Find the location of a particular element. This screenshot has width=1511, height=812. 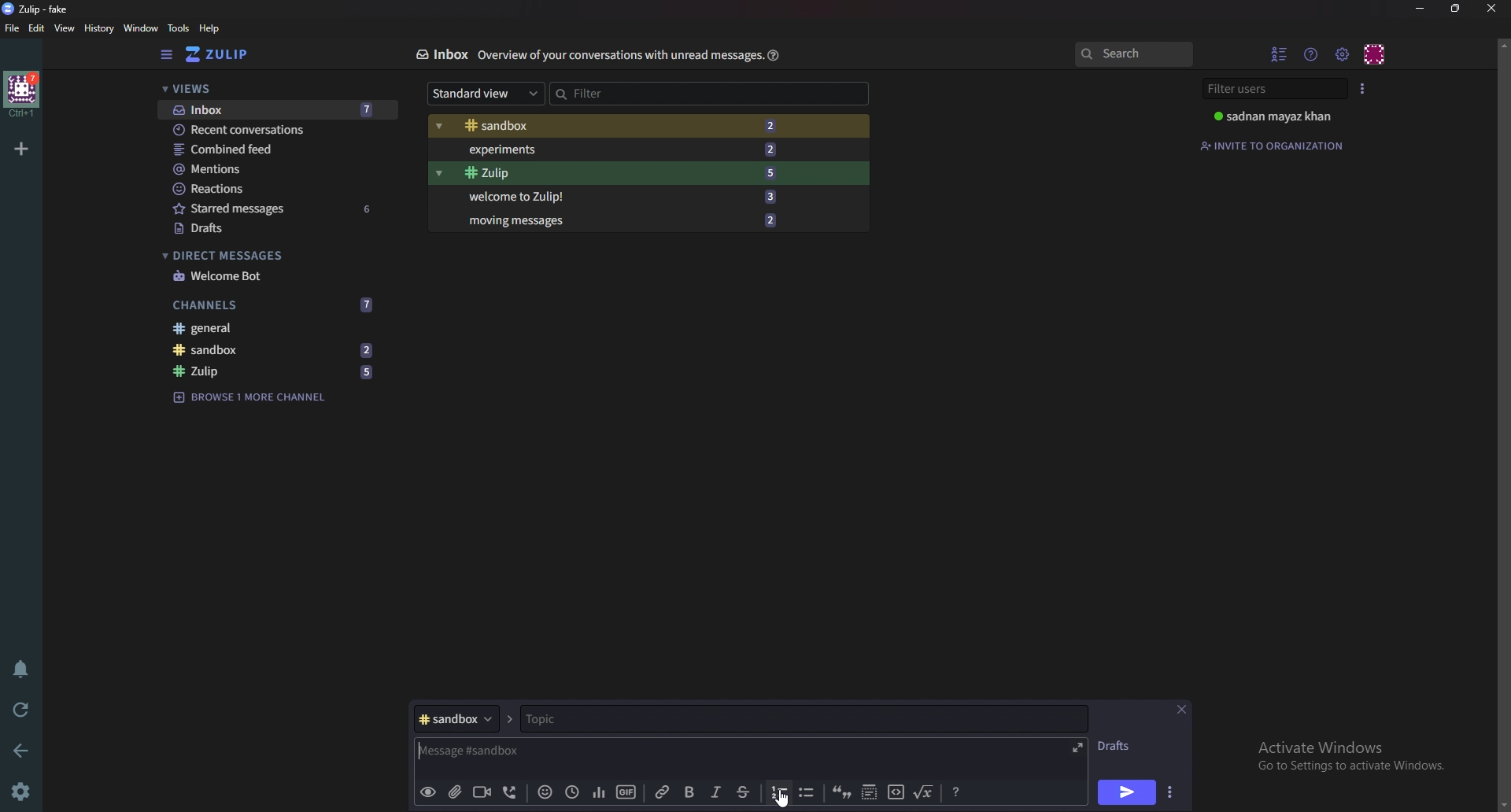

Help is located at coordinates (771, 55).